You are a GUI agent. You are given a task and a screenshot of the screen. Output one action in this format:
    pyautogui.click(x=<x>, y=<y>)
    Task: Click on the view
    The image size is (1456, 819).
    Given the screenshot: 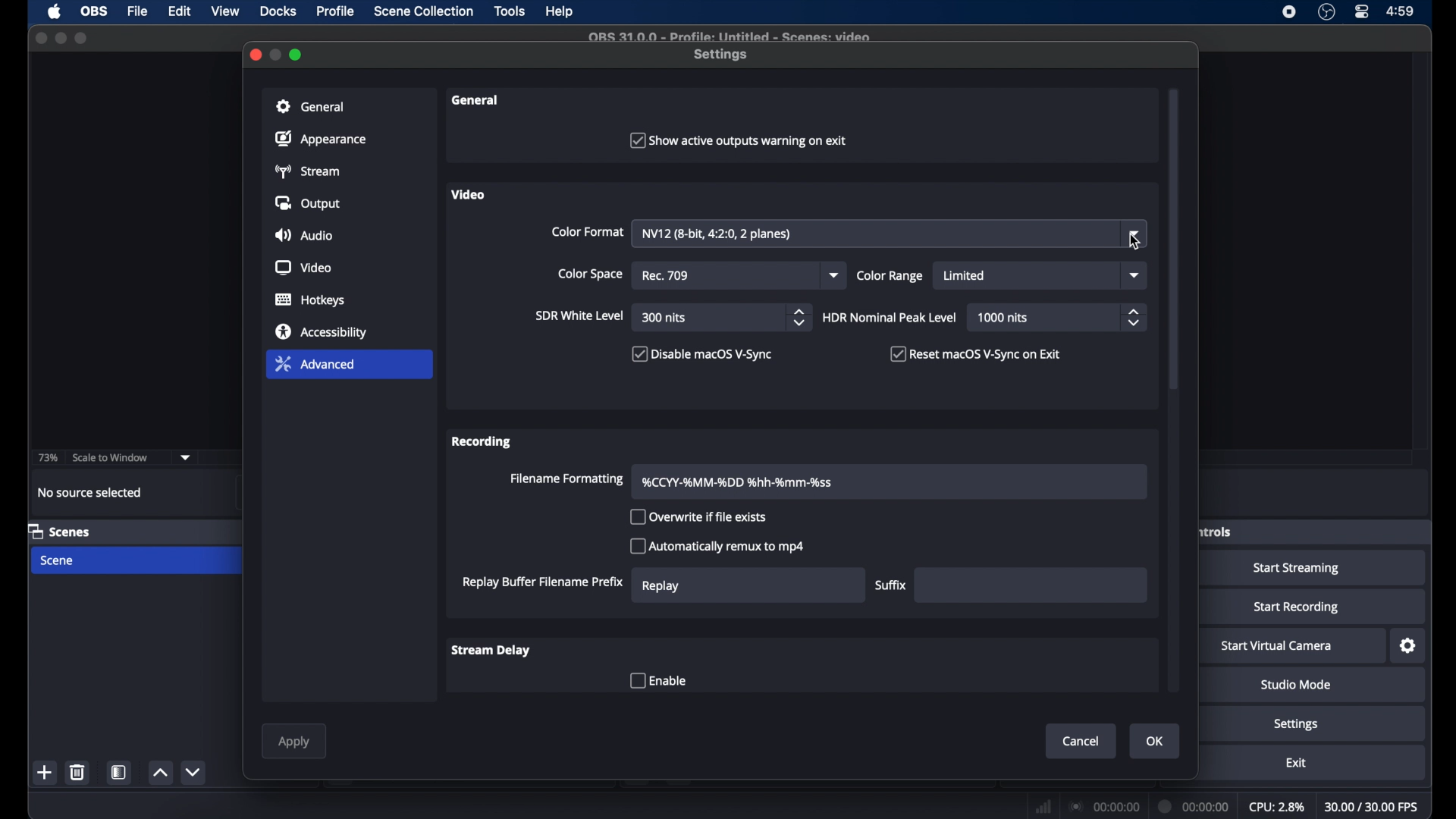 What is the action you would take?
    pyautogui.click(x=226, y=11)
    